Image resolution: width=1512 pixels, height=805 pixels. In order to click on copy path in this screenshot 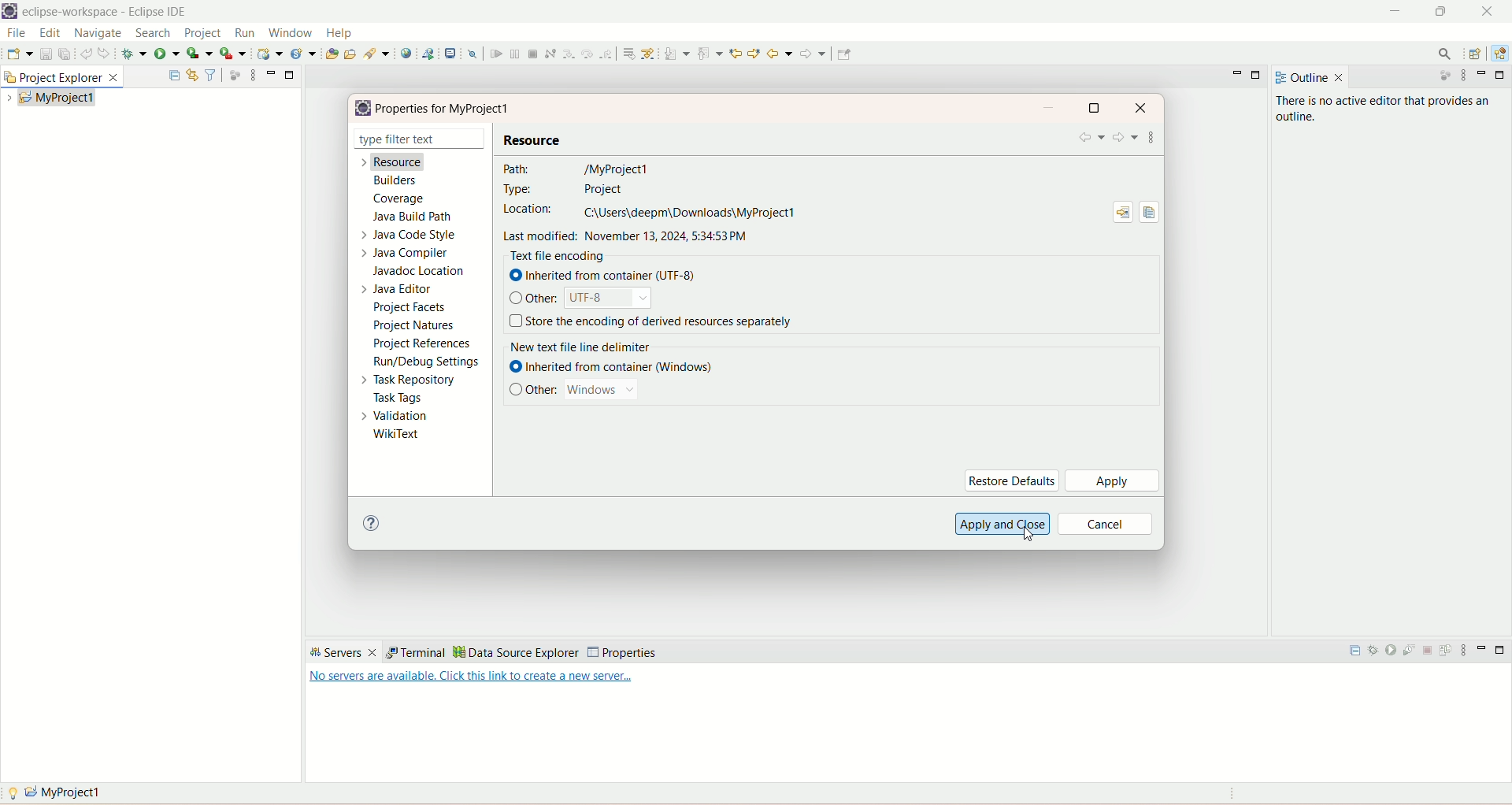, I will do `click(1150, 214)`.